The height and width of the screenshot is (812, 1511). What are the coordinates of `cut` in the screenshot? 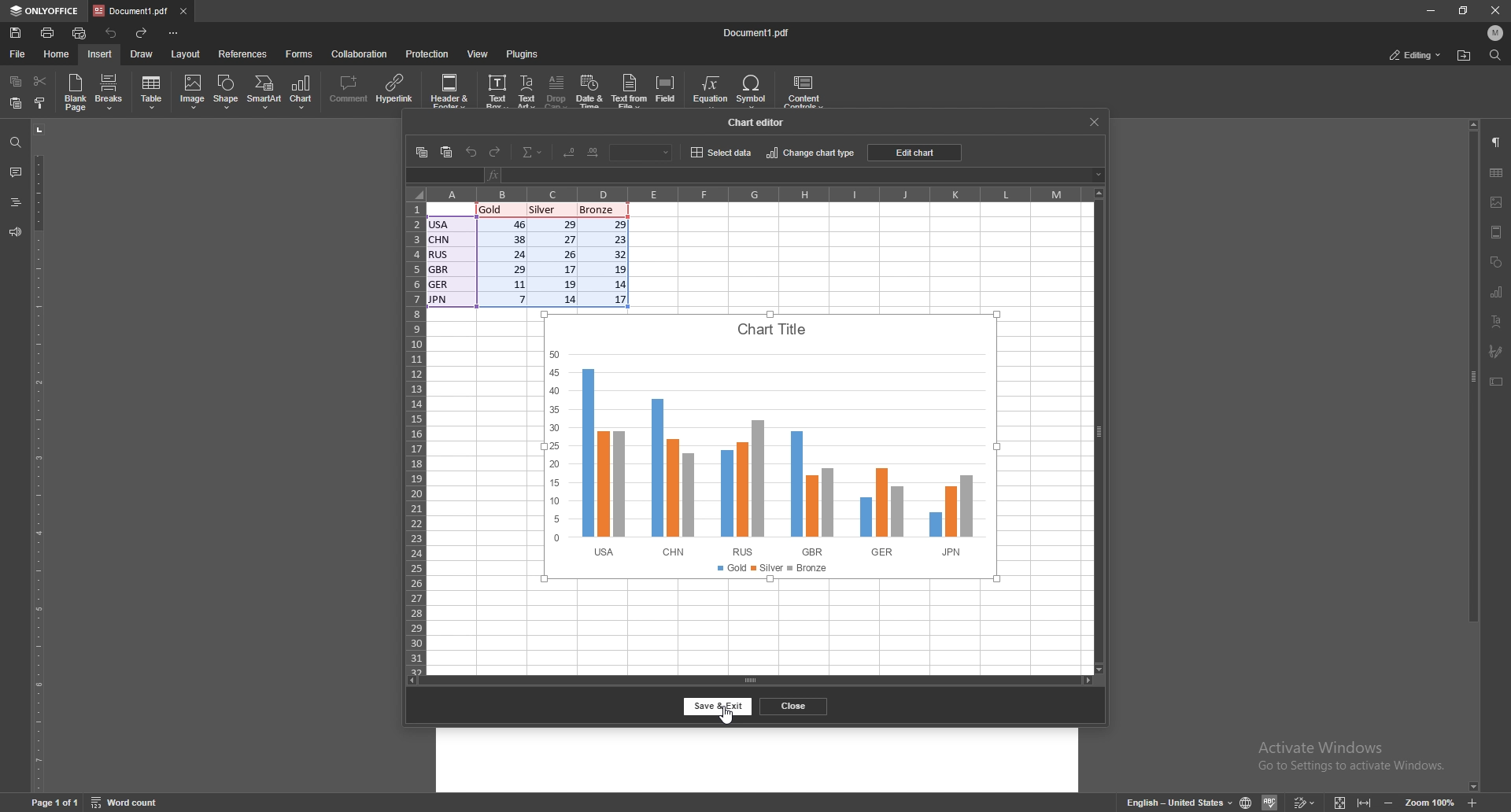 It's located at (40, 80).